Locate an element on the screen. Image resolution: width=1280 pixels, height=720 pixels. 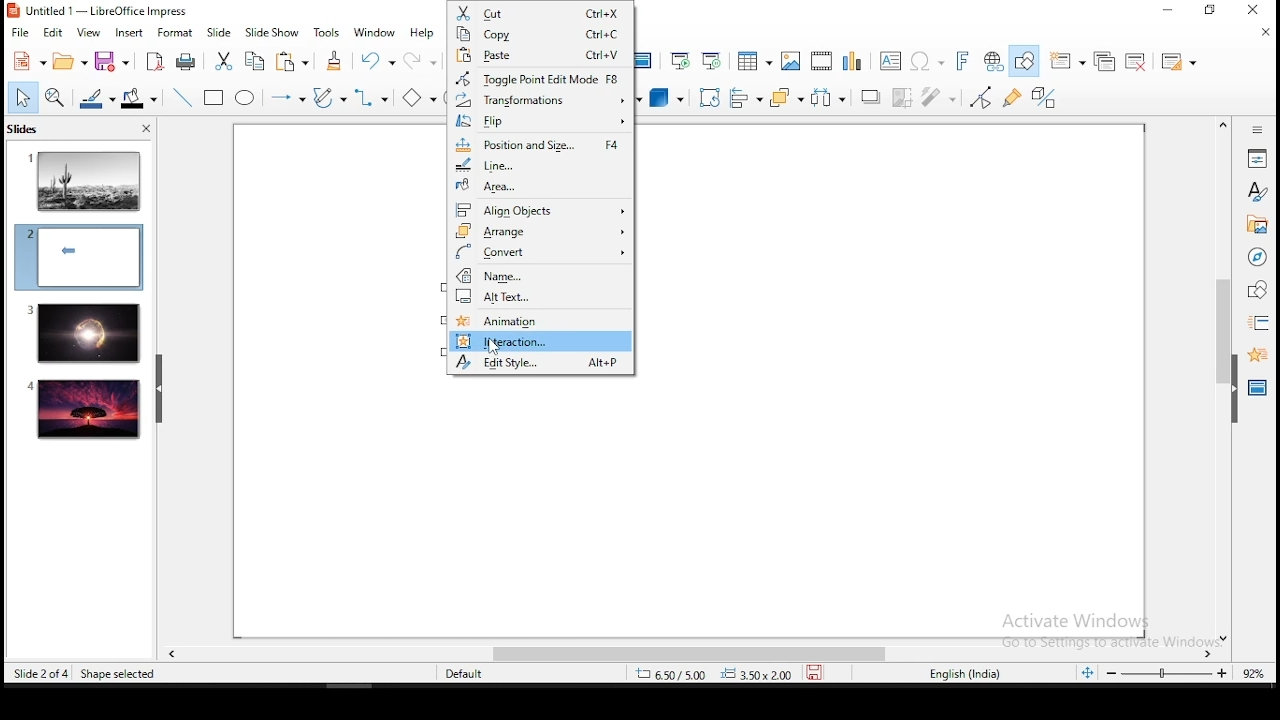
export as pdf is located at coordinates (152, 61).